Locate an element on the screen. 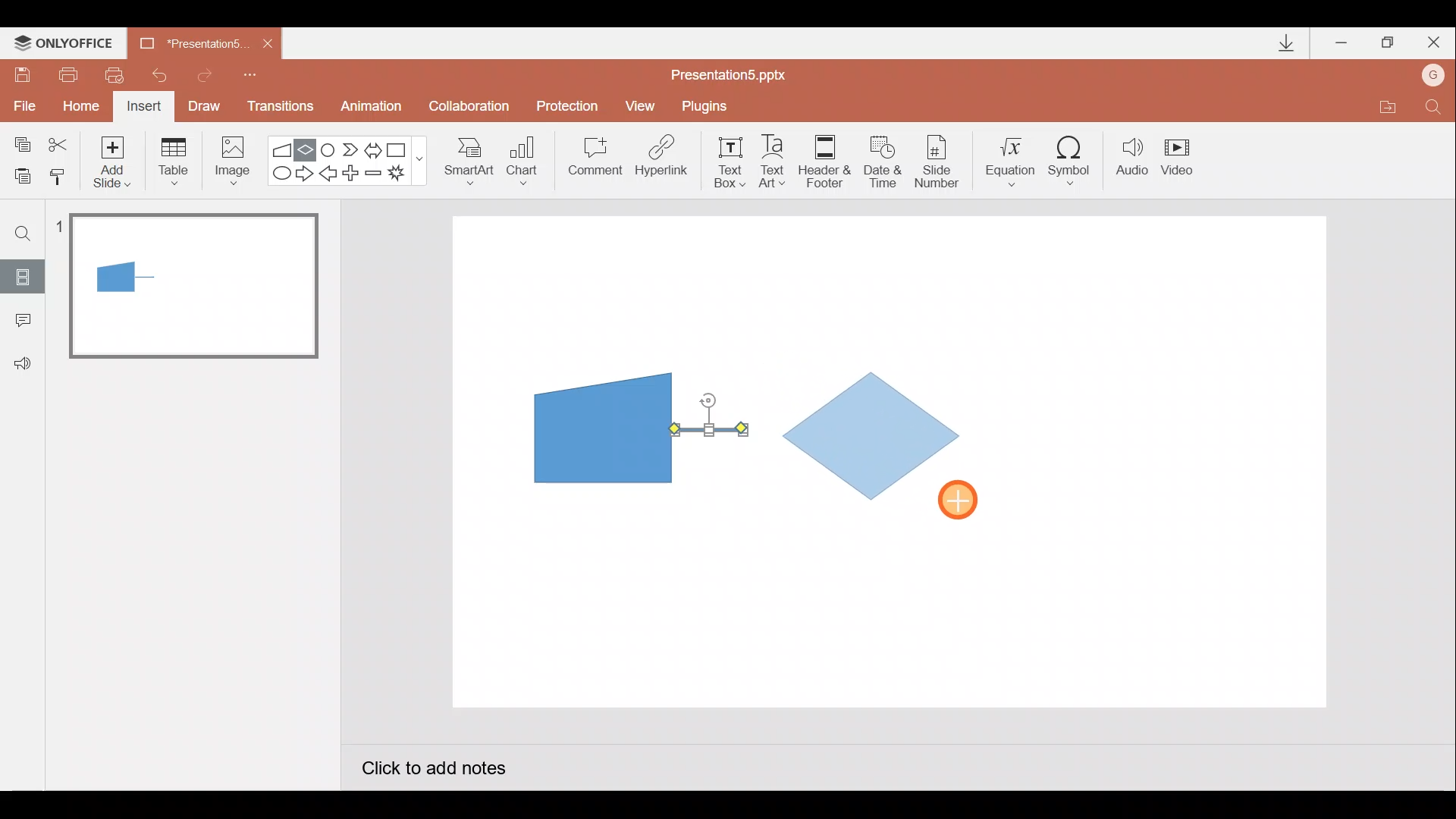  Transitions is located at coordinates (278, 108).